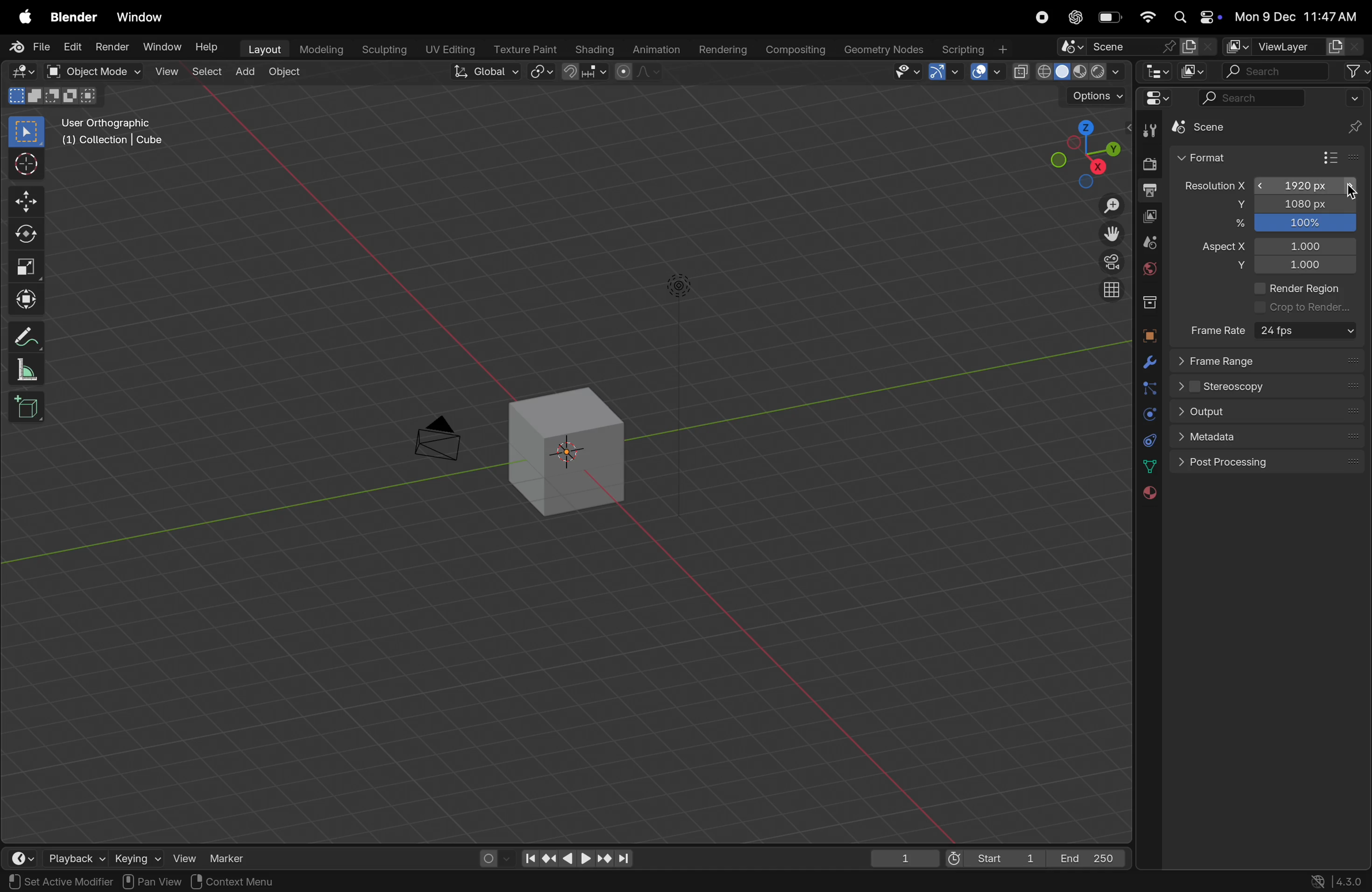 The width and height of the screenshot is (1372, 892). What do you see at coordinates (1134, 47) in the screenshot?
I see `scene` at bounding box center [1134, 47].